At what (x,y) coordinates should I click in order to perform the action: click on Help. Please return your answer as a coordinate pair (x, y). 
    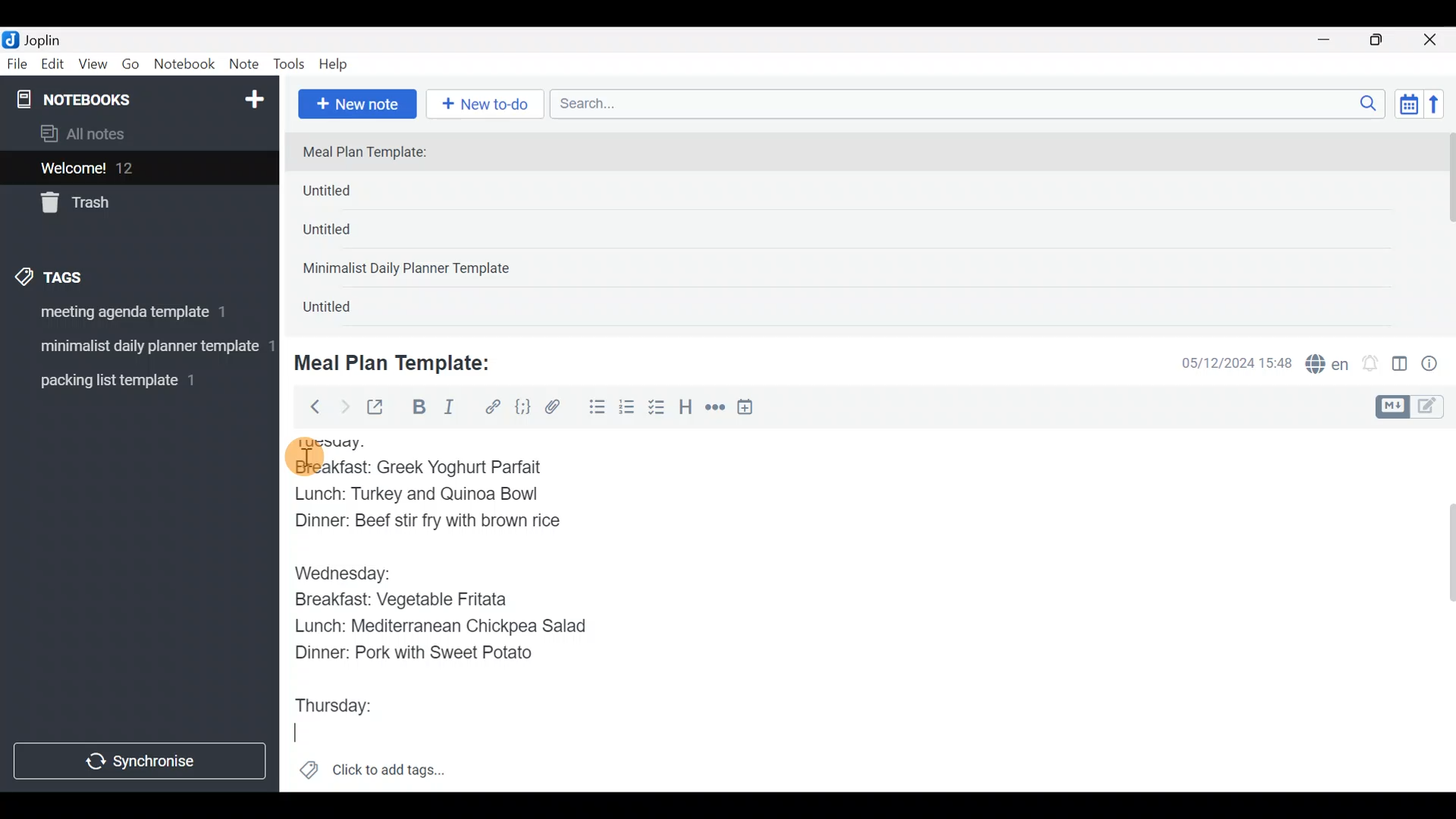
    Looking at the image, I should click on (339, 61).